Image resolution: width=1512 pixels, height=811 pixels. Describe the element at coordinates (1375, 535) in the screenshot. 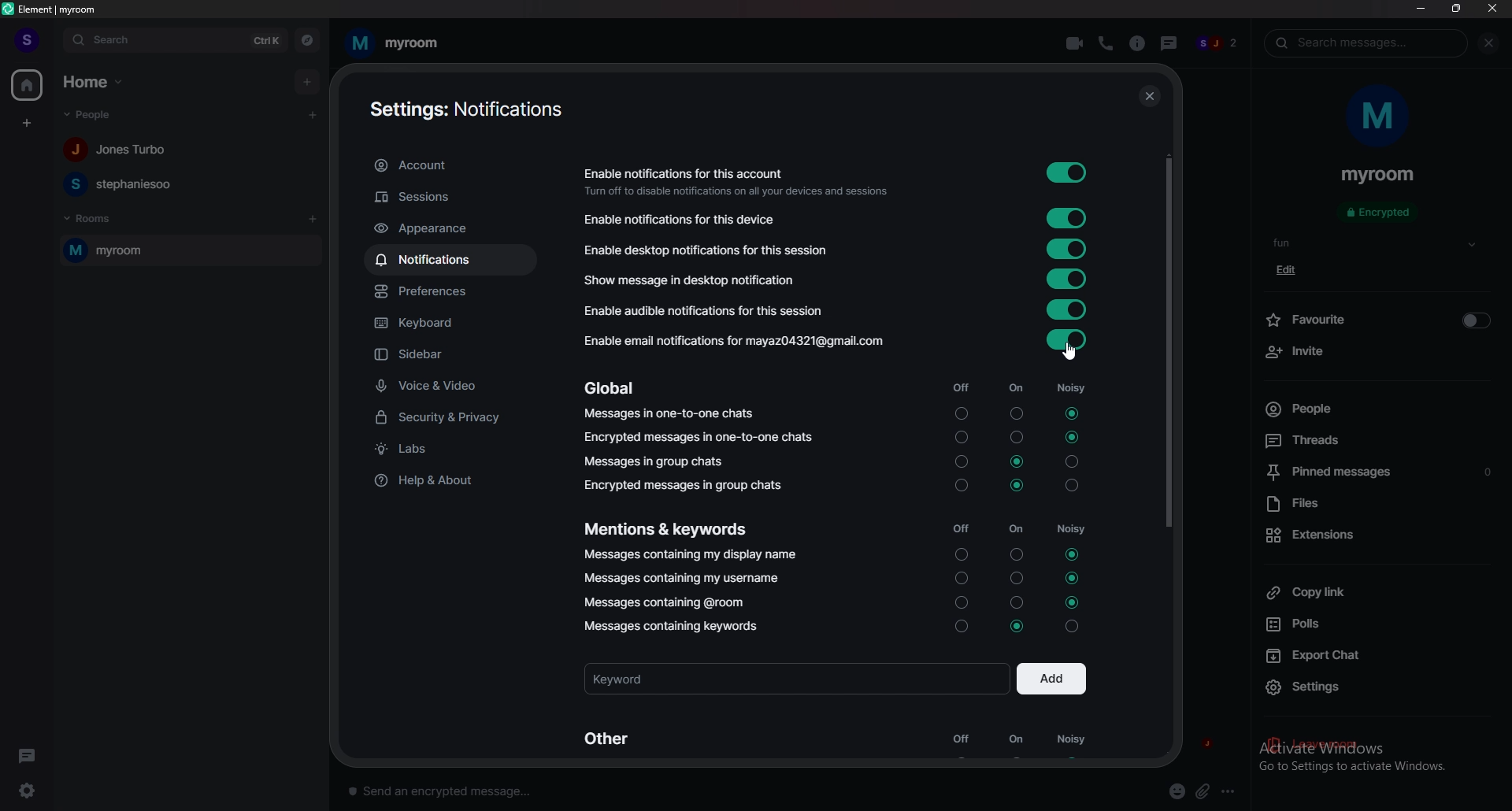

I see `extensions` at that location.